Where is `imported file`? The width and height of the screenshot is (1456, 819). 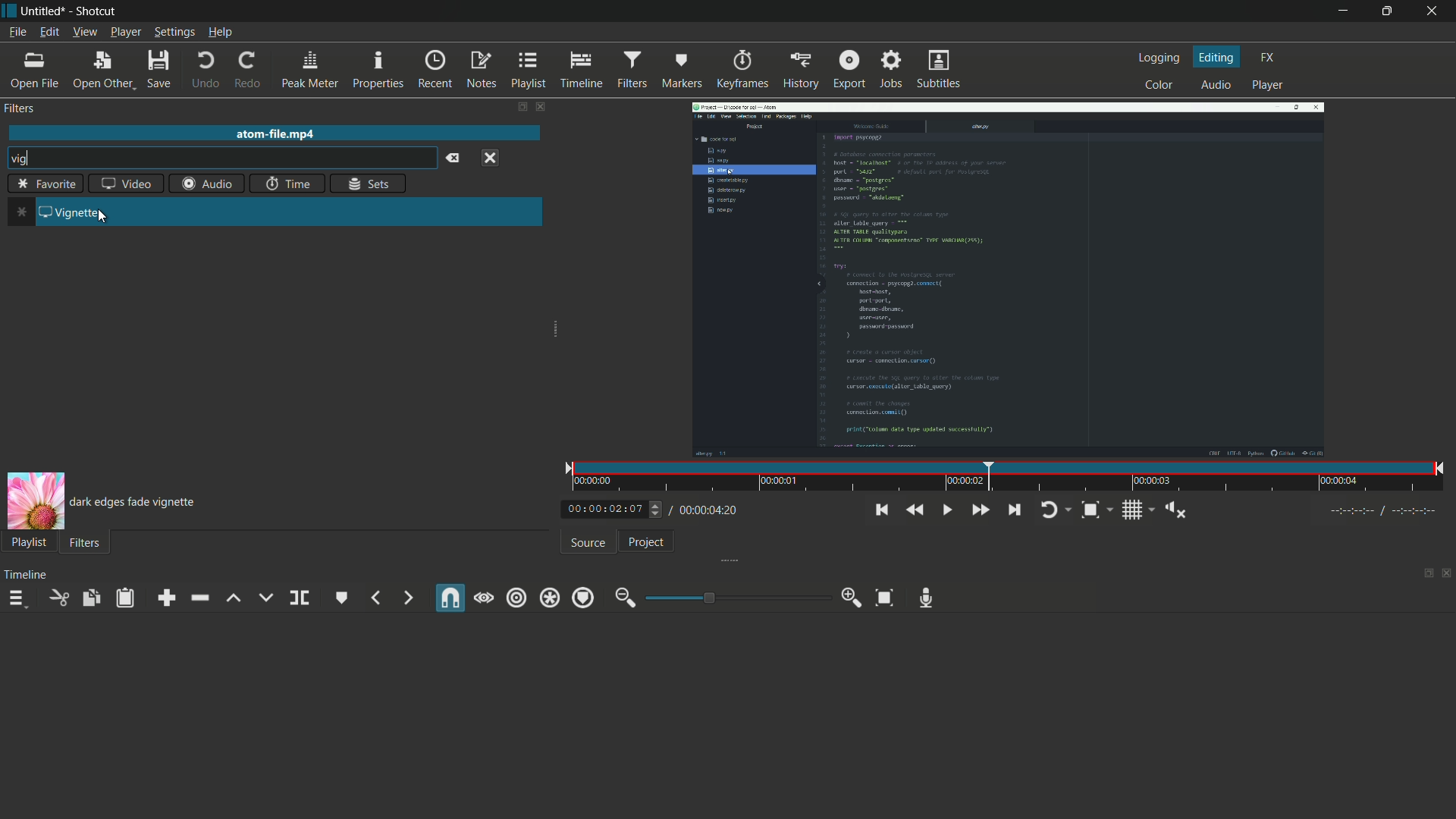
imported file is located at coordinates (1011, 280).